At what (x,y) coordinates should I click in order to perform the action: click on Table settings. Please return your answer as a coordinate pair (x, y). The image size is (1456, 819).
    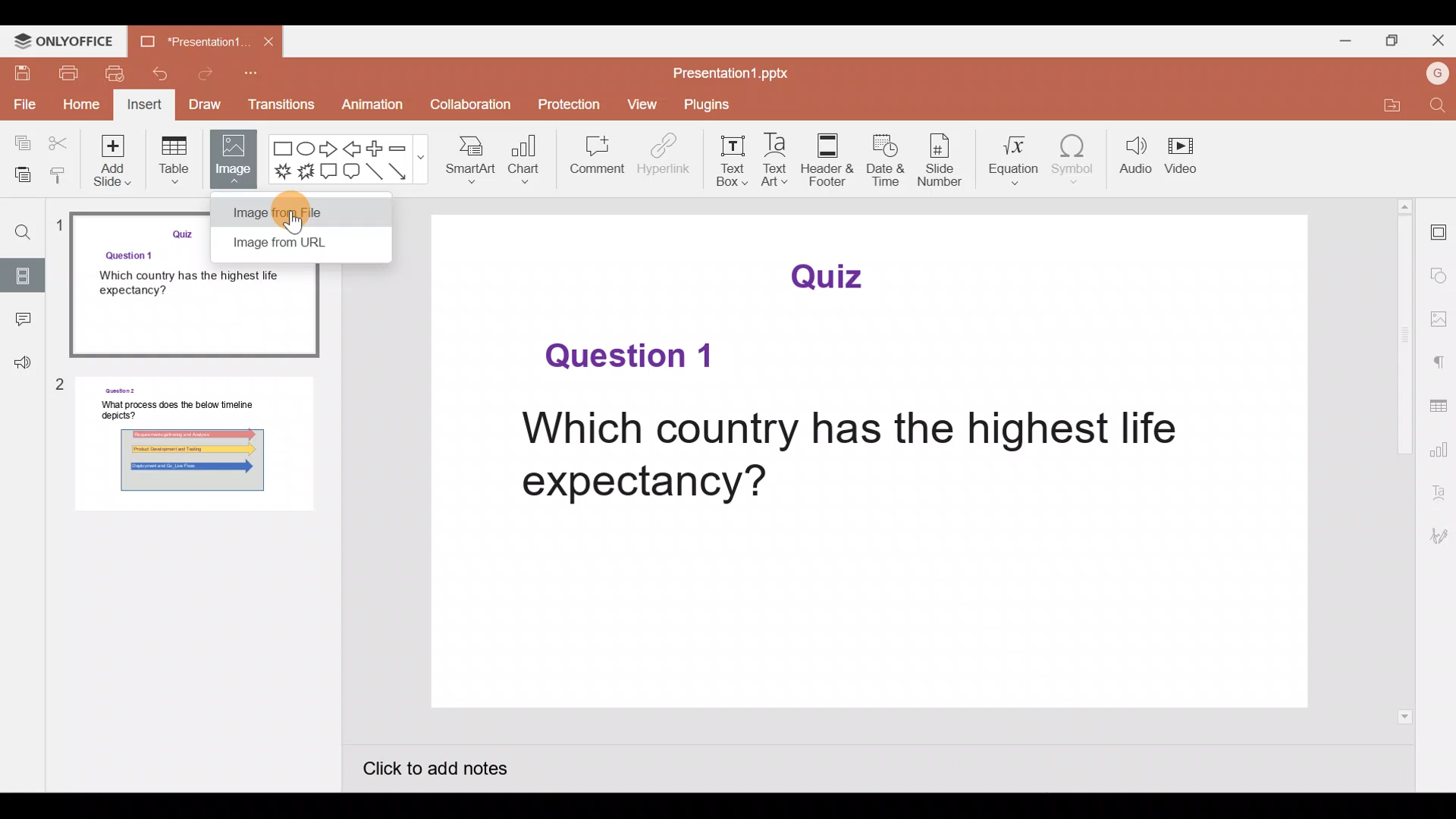
    Looking at the image, I should click on (1438, 408).